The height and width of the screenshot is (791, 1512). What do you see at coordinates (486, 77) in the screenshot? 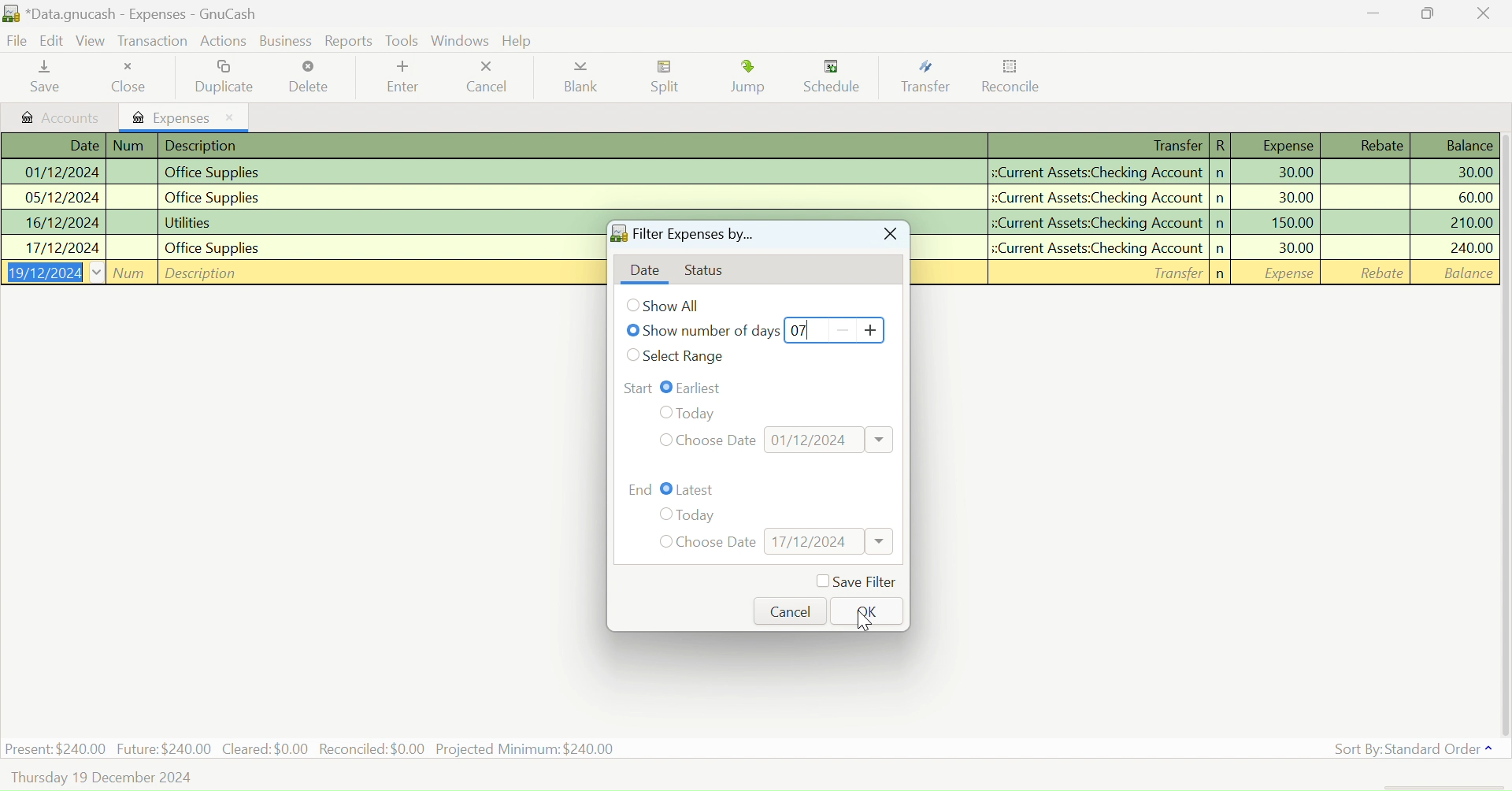
I see `Cancel` at bounding box center [486, 77].